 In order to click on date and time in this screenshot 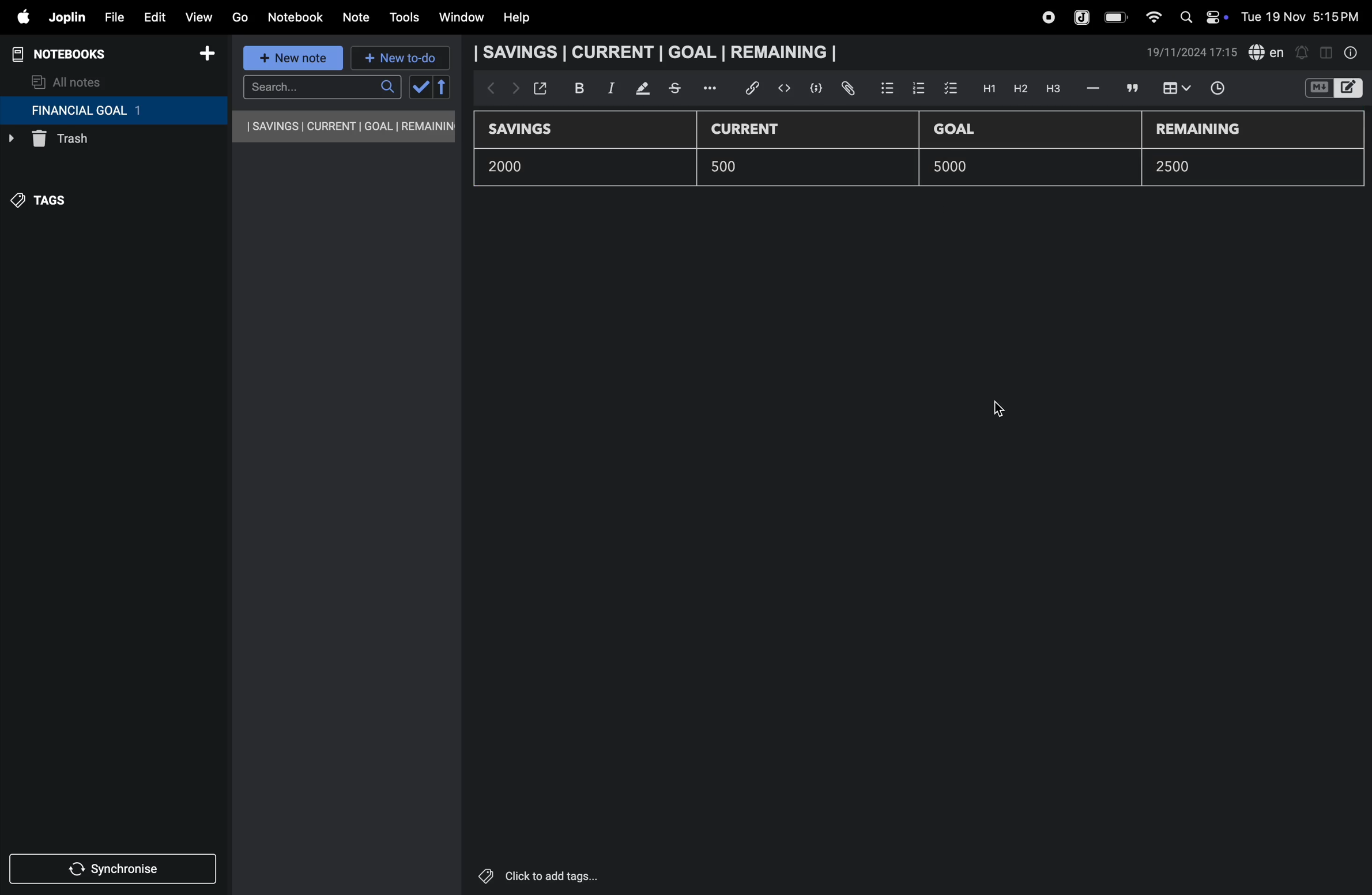, I will do `click(1304, 16)`.